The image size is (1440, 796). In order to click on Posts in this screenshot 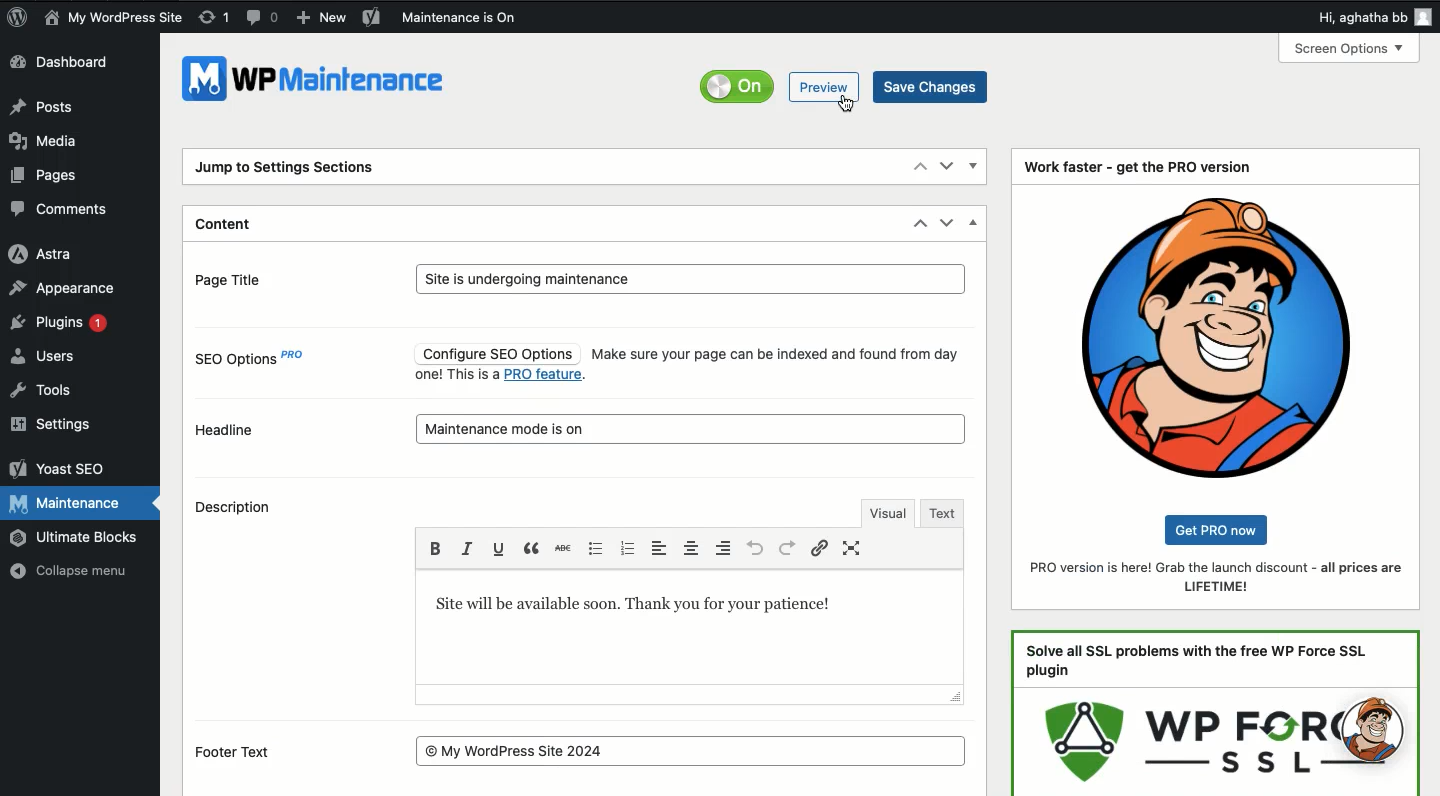, I will do `click(42, 105)`.